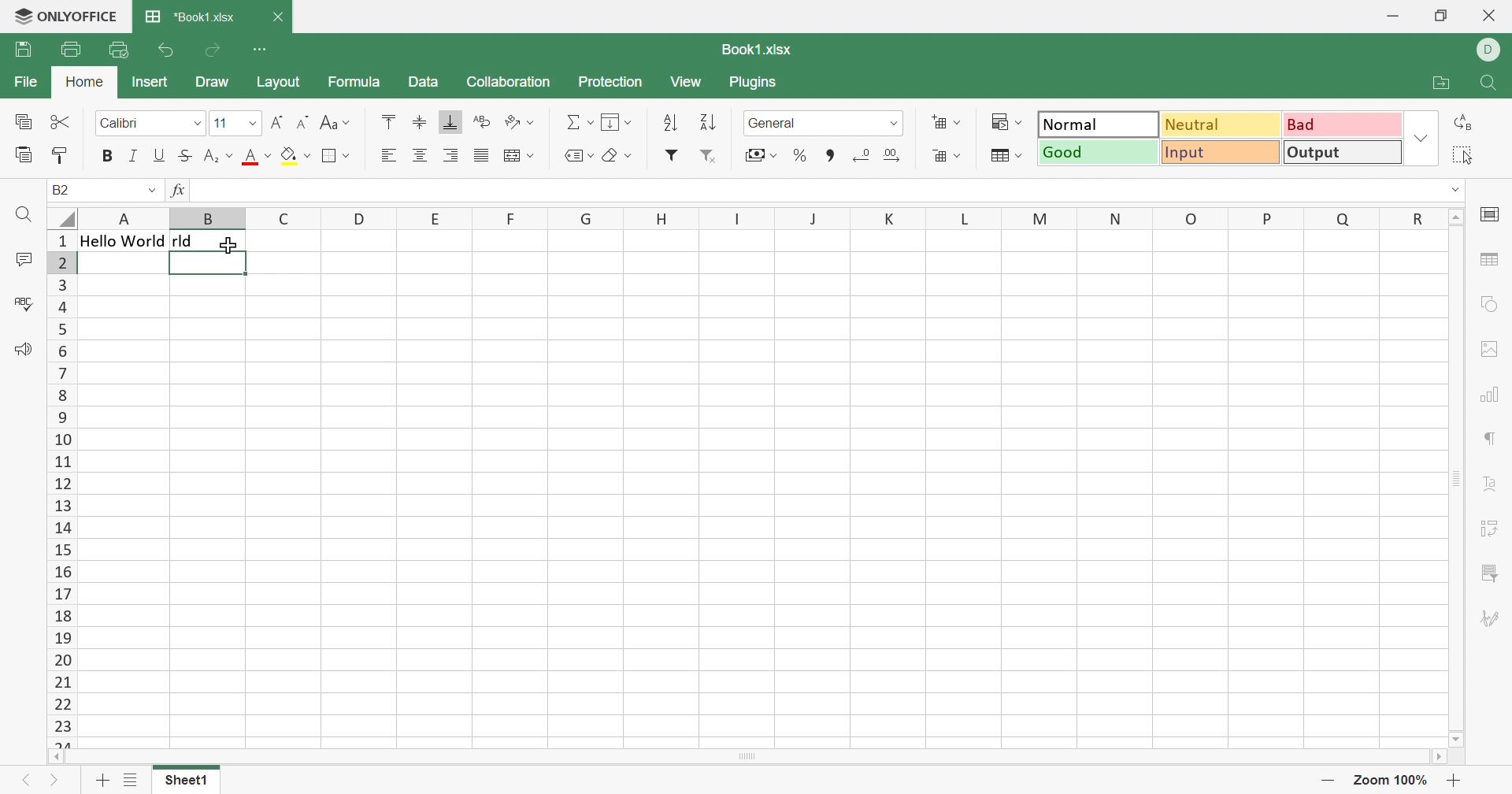 This screenshot has height=794, width=1512. What do you see at coordinates (1222, 154) in the screenshot?
I see `Input` at bounding box center [1222, 154].